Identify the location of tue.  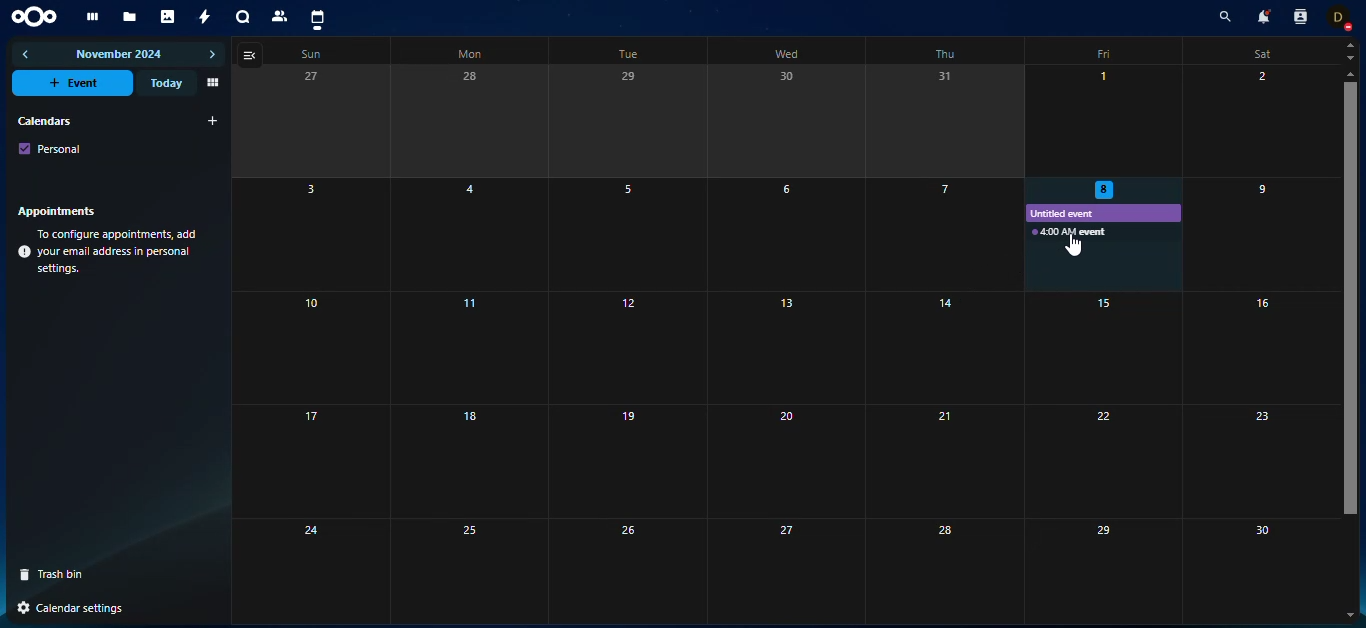
(624, 55).